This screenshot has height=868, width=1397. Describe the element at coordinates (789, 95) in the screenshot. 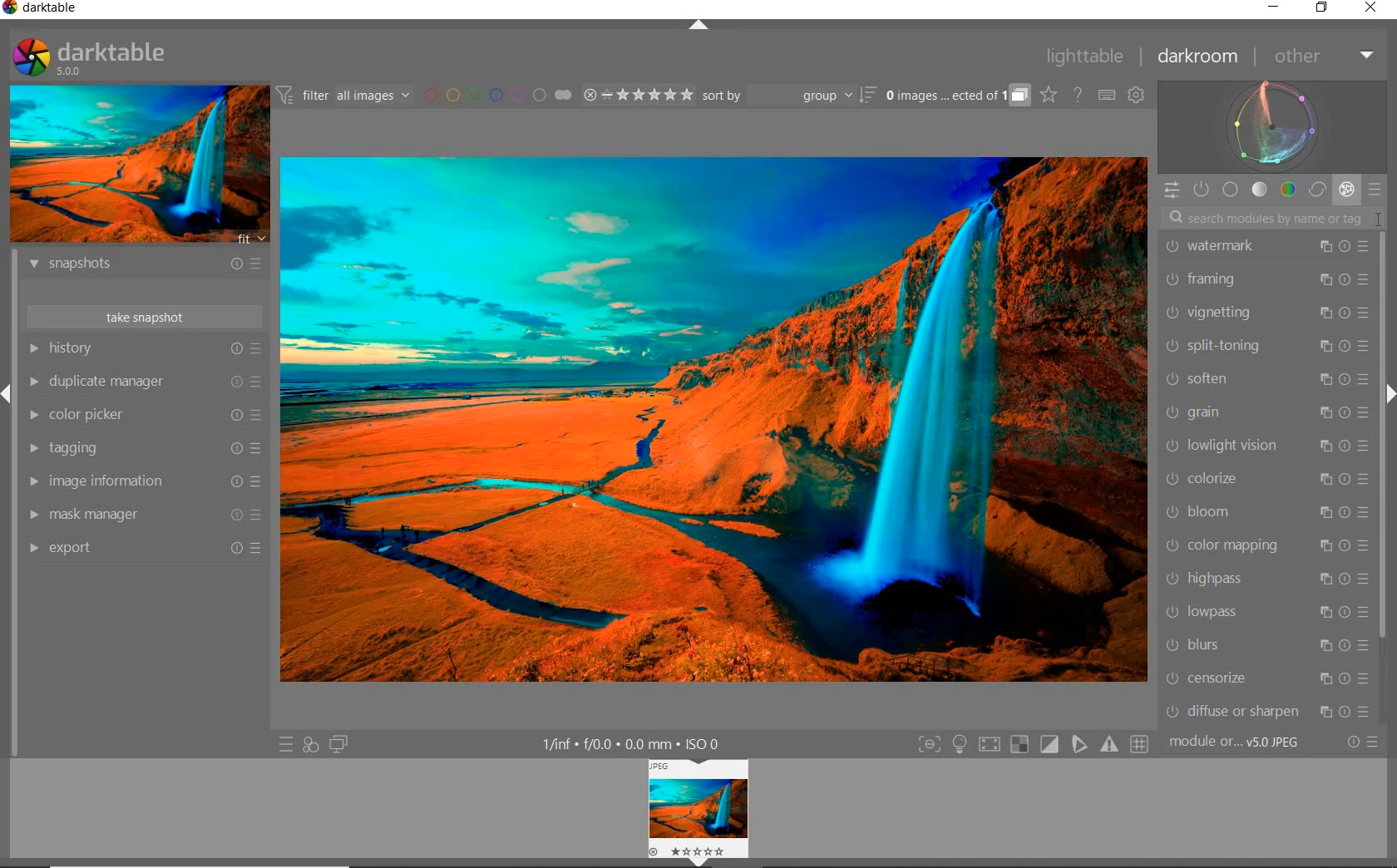

I see `sort by` at that location.